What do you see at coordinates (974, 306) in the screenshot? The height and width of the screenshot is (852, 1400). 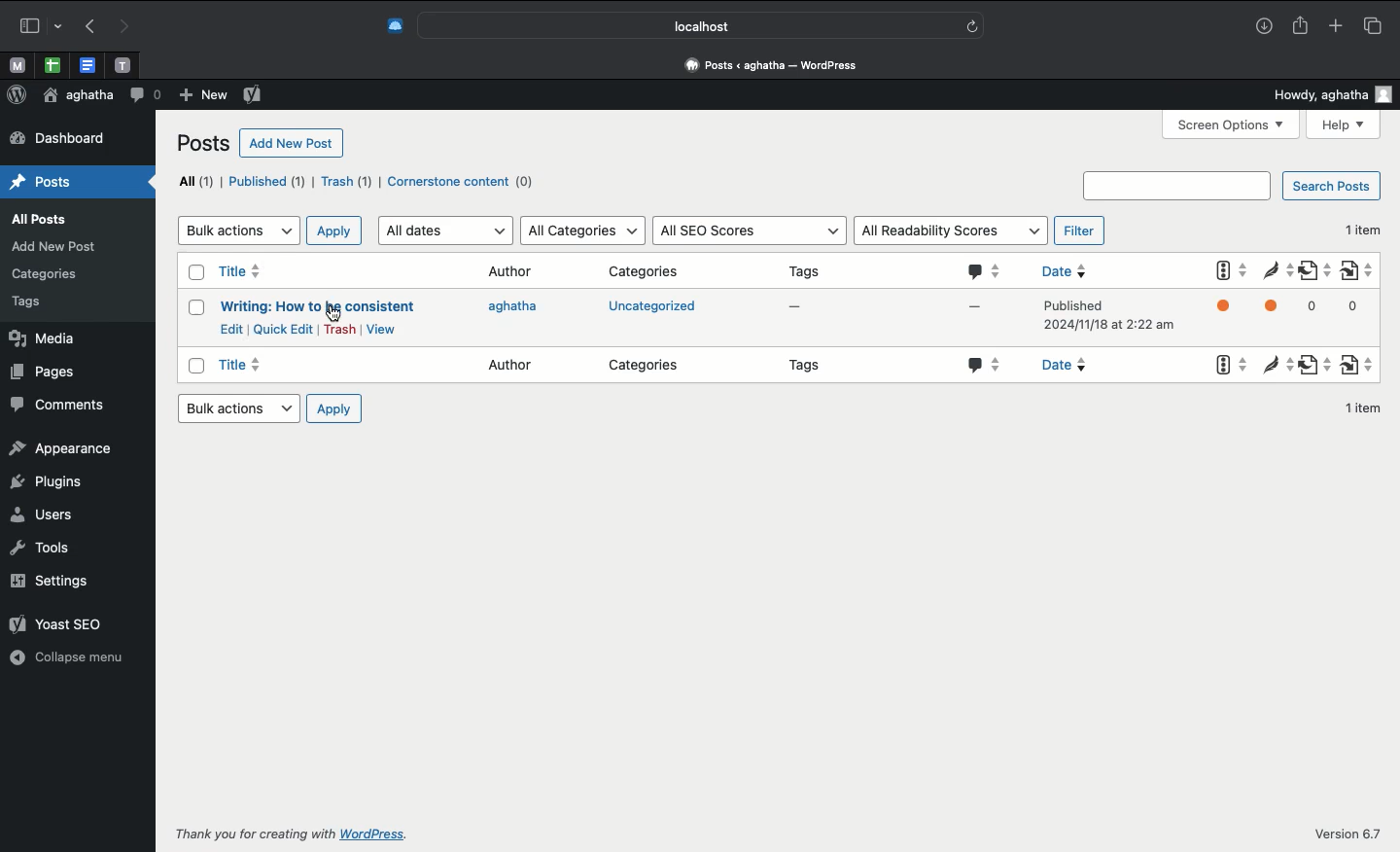 I see `-` at bounding box center [974, 306].